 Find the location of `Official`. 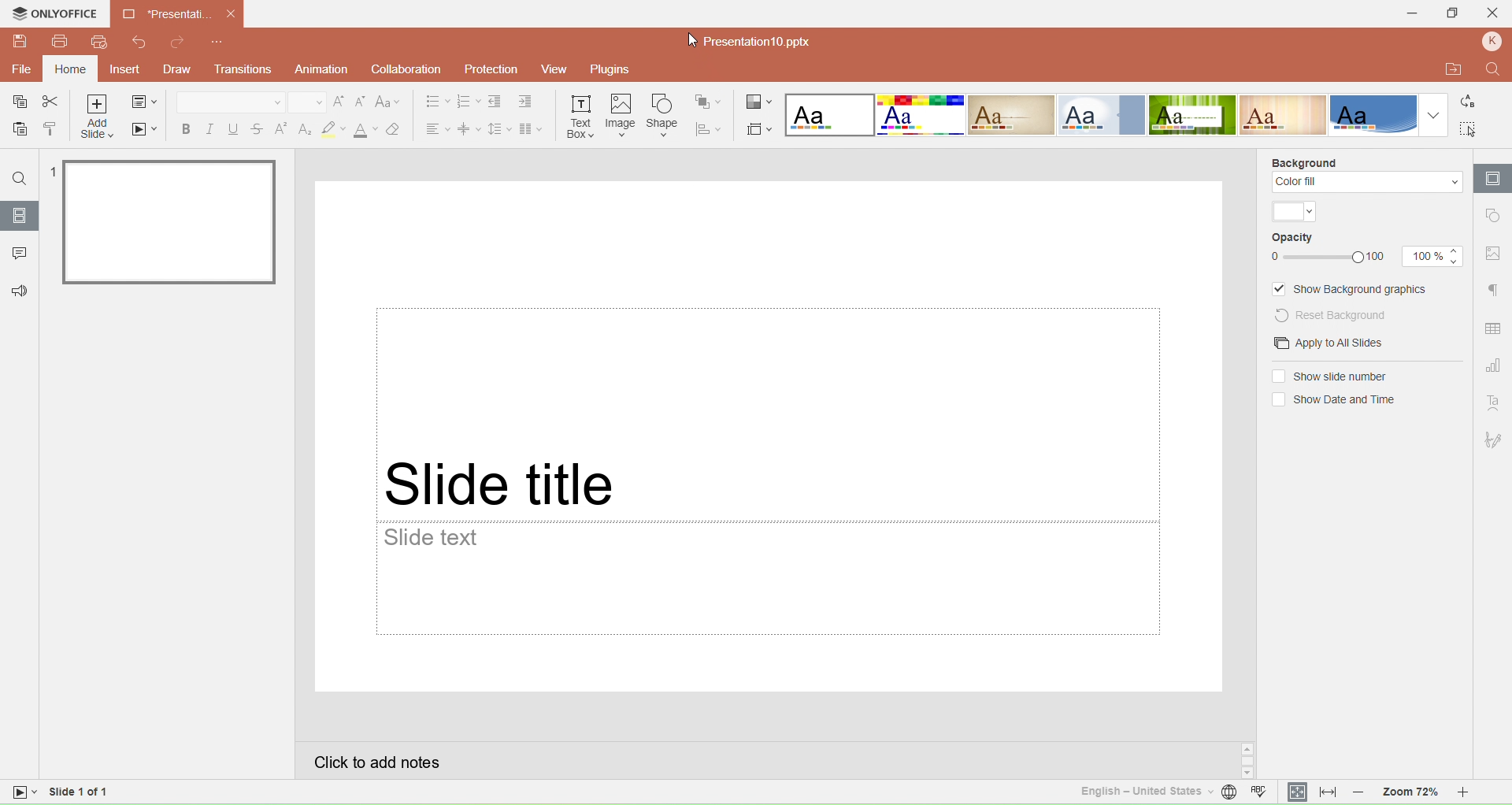

Official is located at coordinates (1101, 115).